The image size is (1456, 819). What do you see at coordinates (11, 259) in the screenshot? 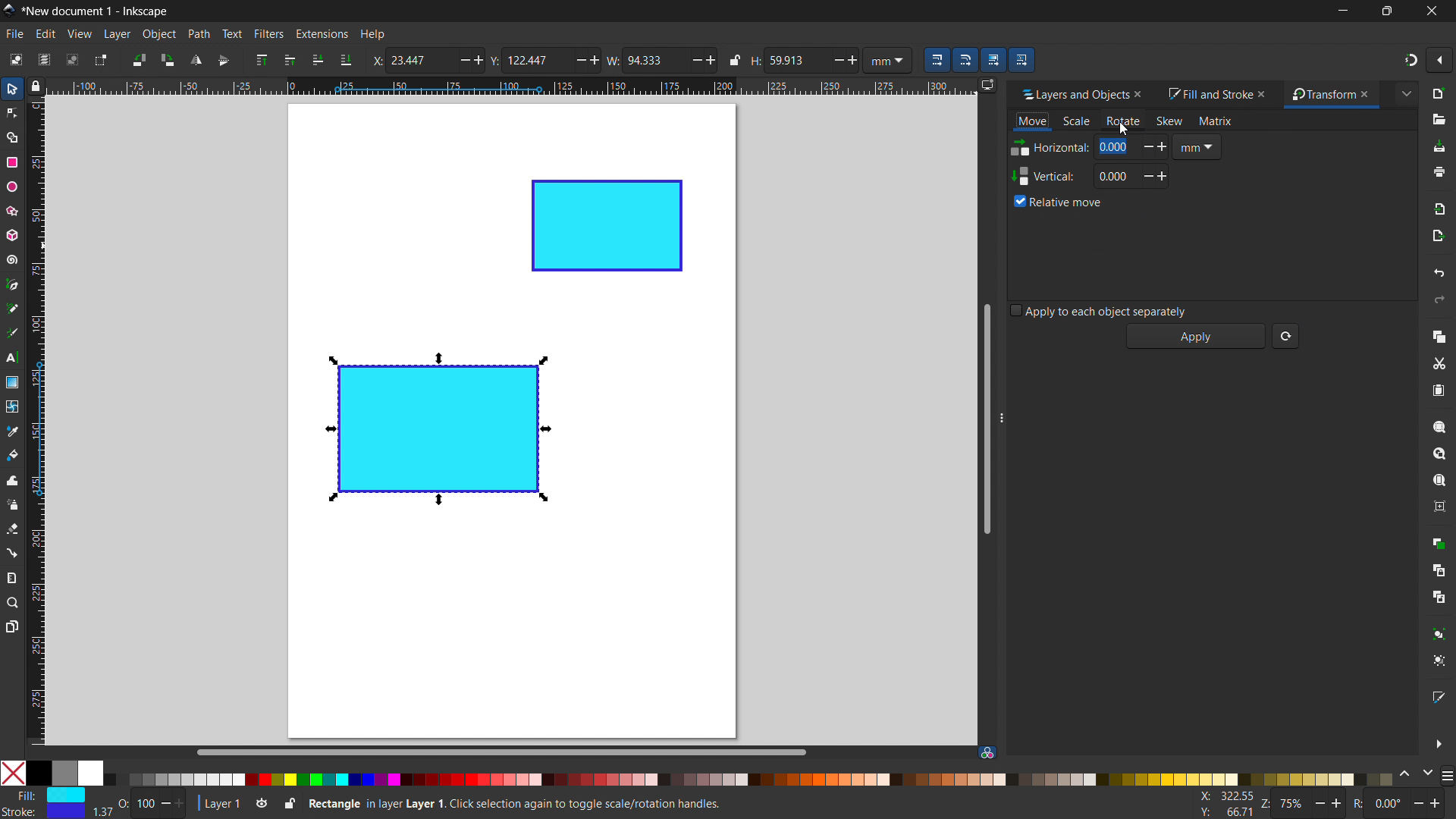
I see `spiral tool` at bounding box center [11, 259].